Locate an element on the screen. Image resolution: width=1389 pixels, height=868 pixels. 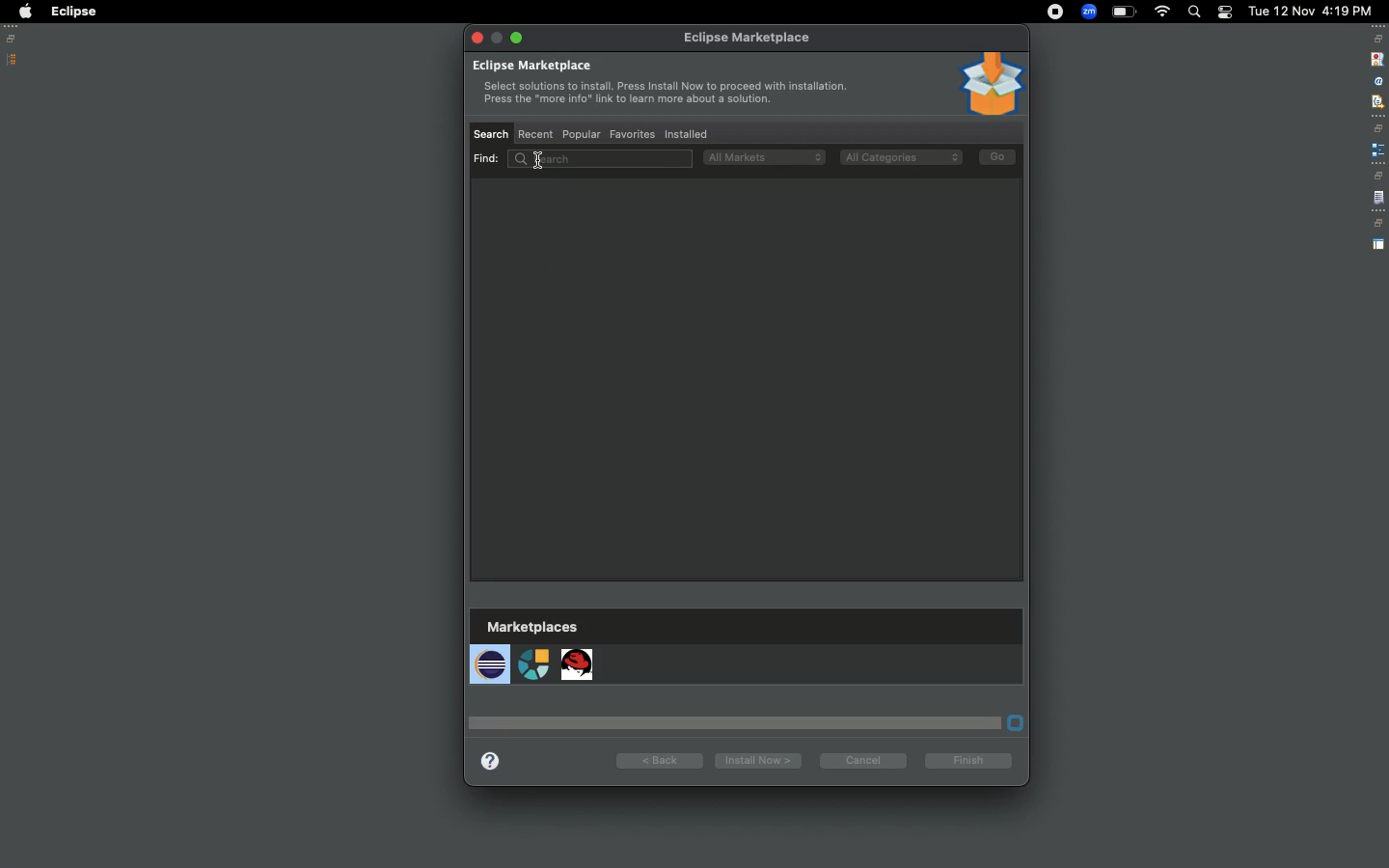
Icon is located at coordinates (991, 84).